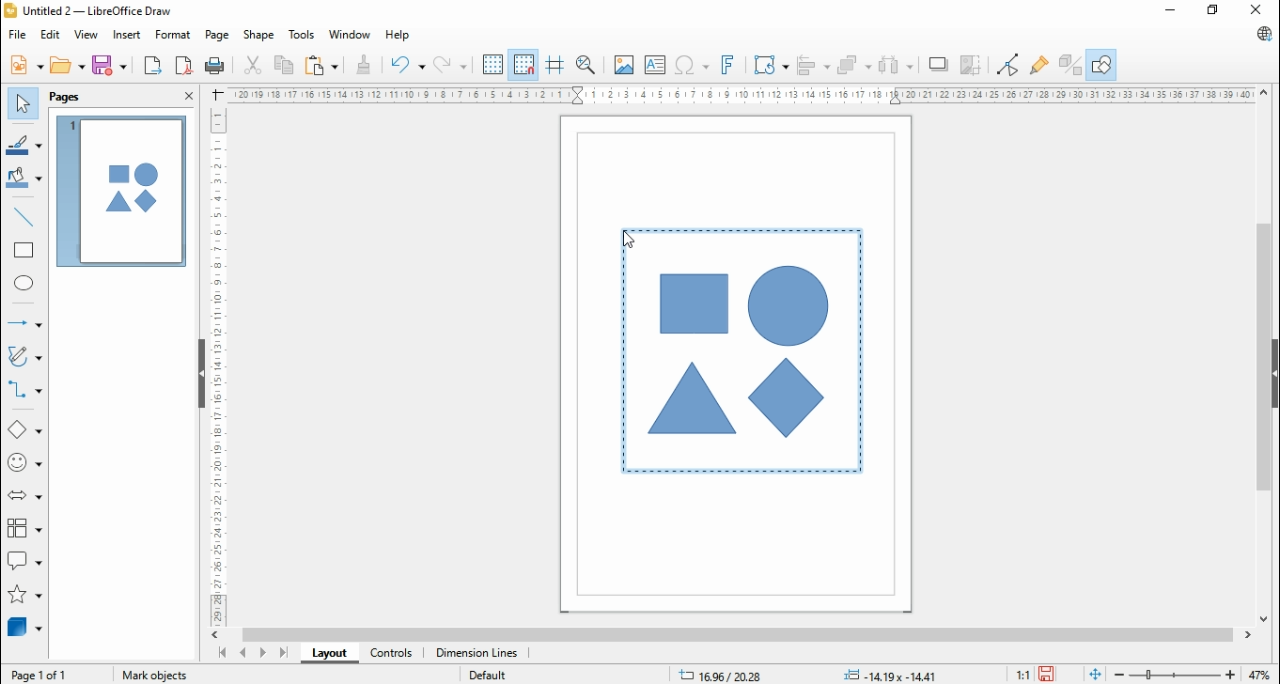 Image resolution: width=1280 pixels, height=684 pixels. Describe the element at coordinates (936, 64) in the screenshot. I see `shadow` at that location.